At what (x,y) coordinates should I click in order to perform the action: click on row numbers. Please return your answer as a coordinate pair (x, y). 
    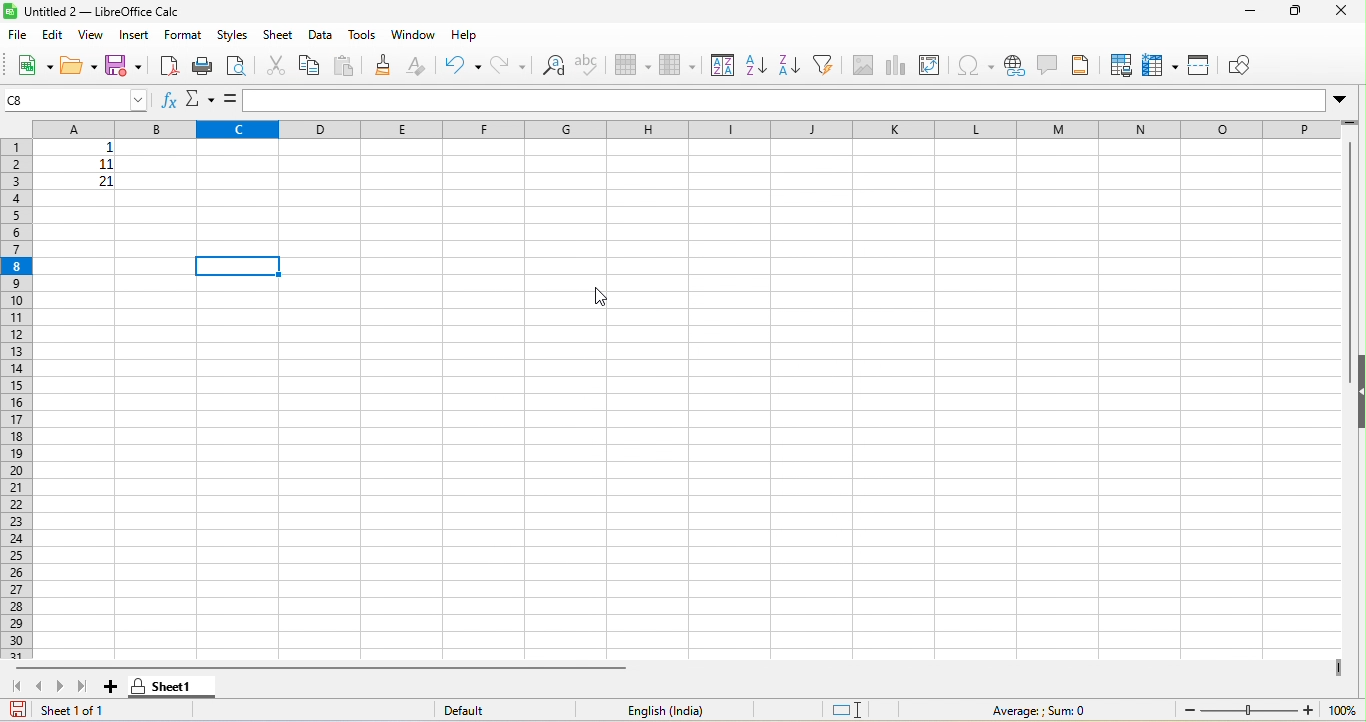
    Looking at the image, I should click on (19, 398).